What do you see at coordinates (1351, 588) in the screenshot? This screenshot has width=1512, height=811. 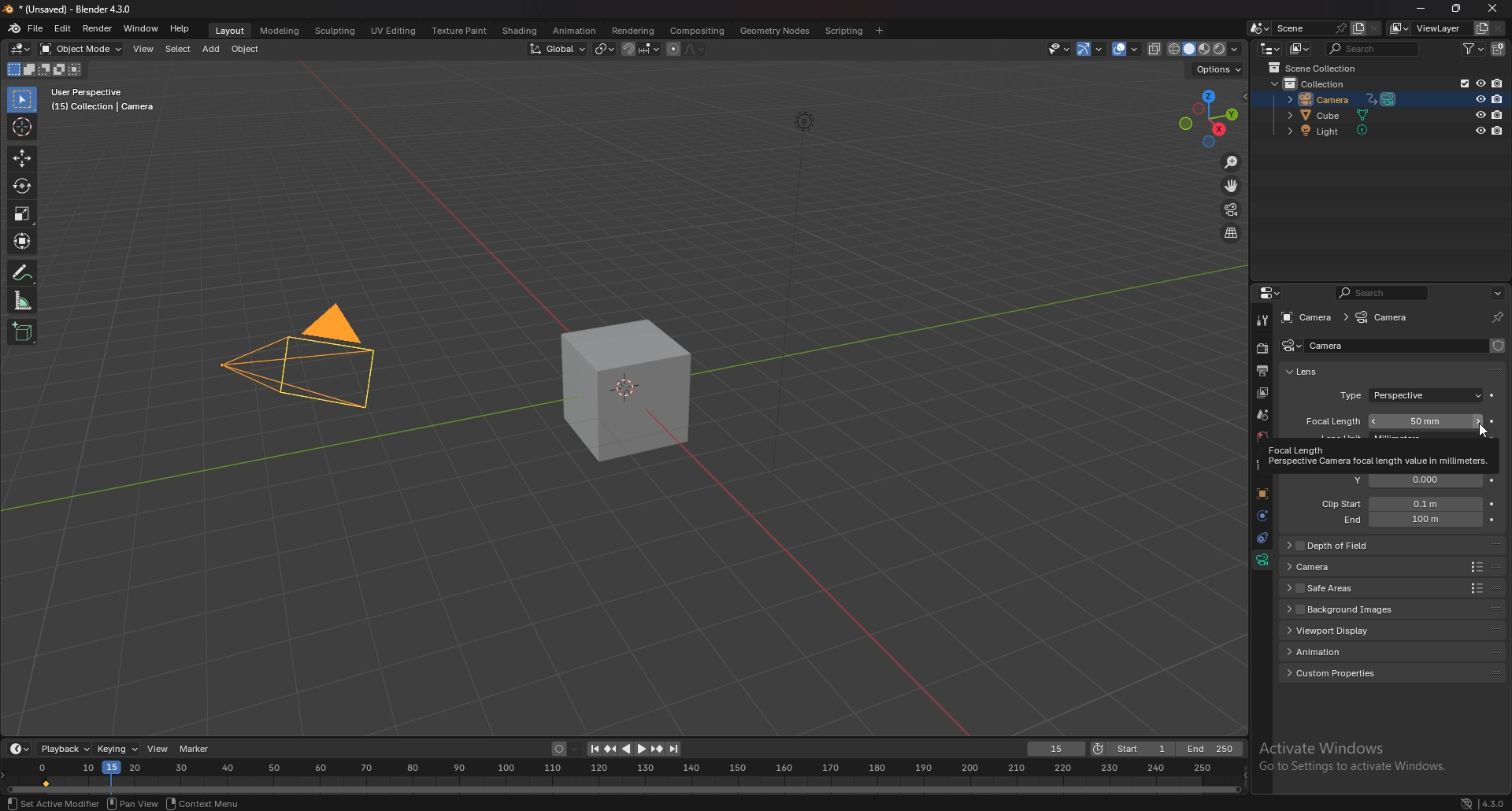 I see `safe areas` at bounding box center [1351, 588].